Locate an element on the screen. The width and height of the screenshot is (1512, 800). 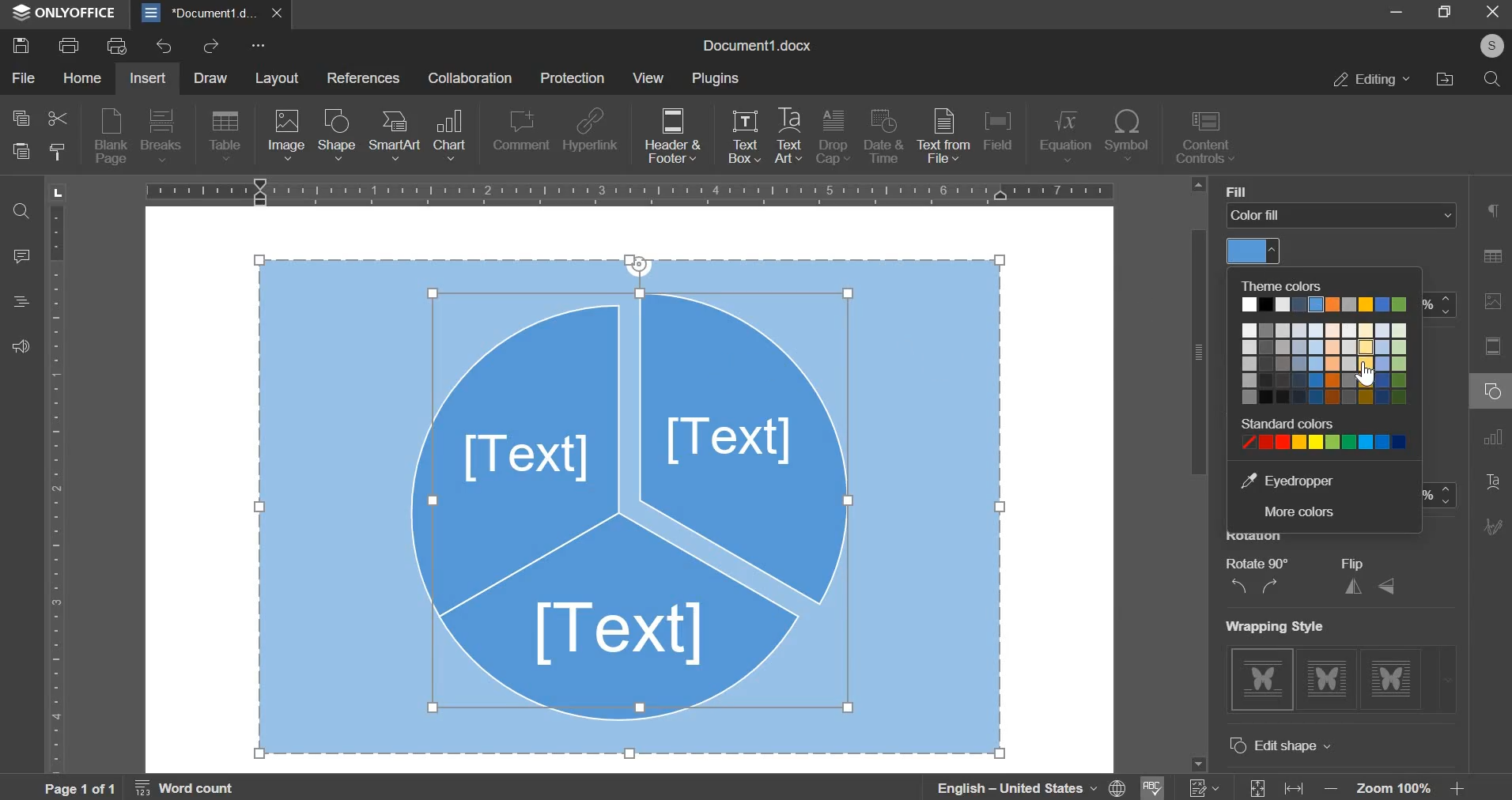
rotate is located at coordinates (1253, 586).